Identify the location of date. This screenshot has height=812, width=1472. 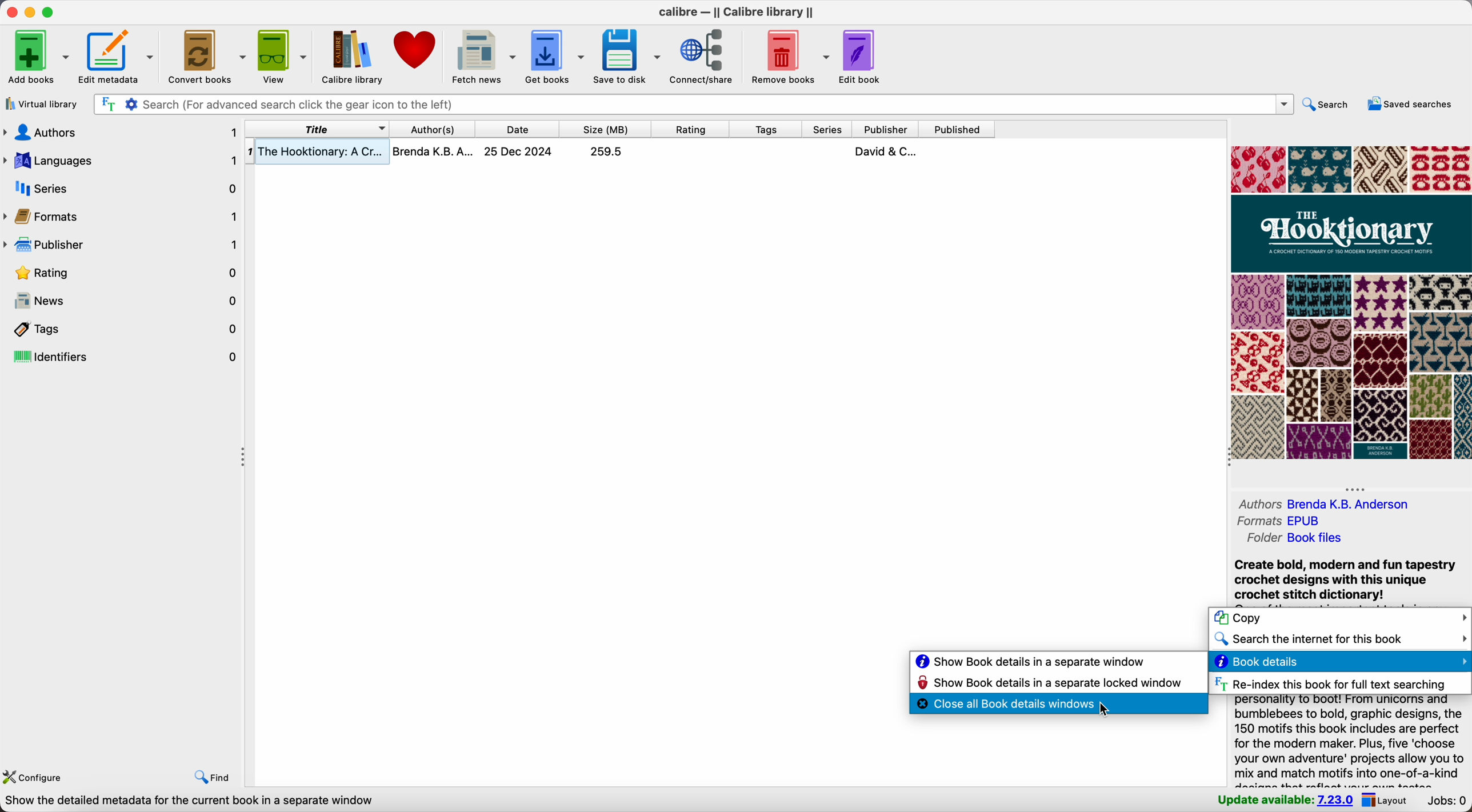
(517, 129).